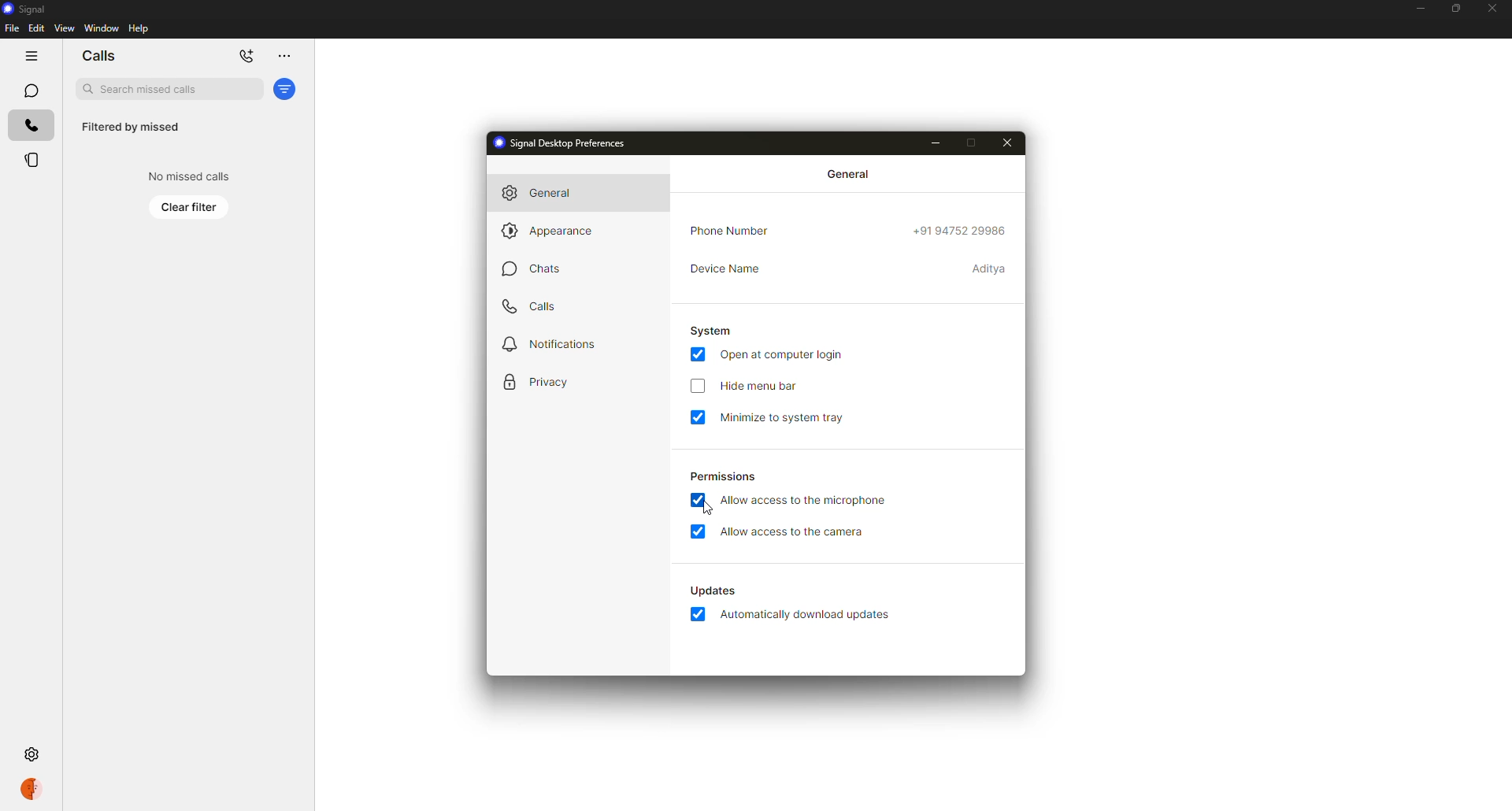  What do you see at coordinates (732, 231) in the screenshot?
I see `phone number` at bounding box center [732, 231].